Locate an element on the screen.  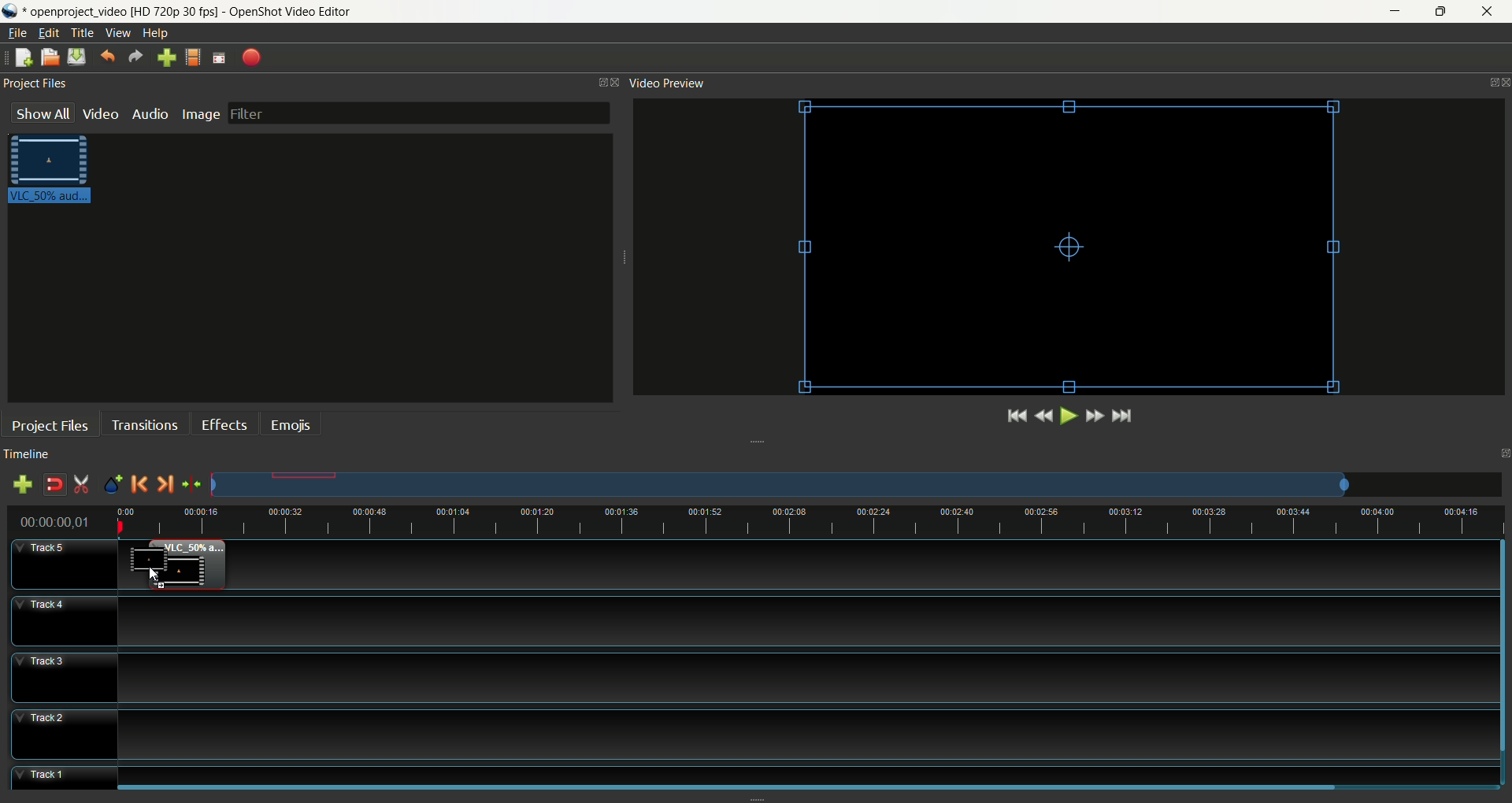
track1 is located at coordinates (755, 777).